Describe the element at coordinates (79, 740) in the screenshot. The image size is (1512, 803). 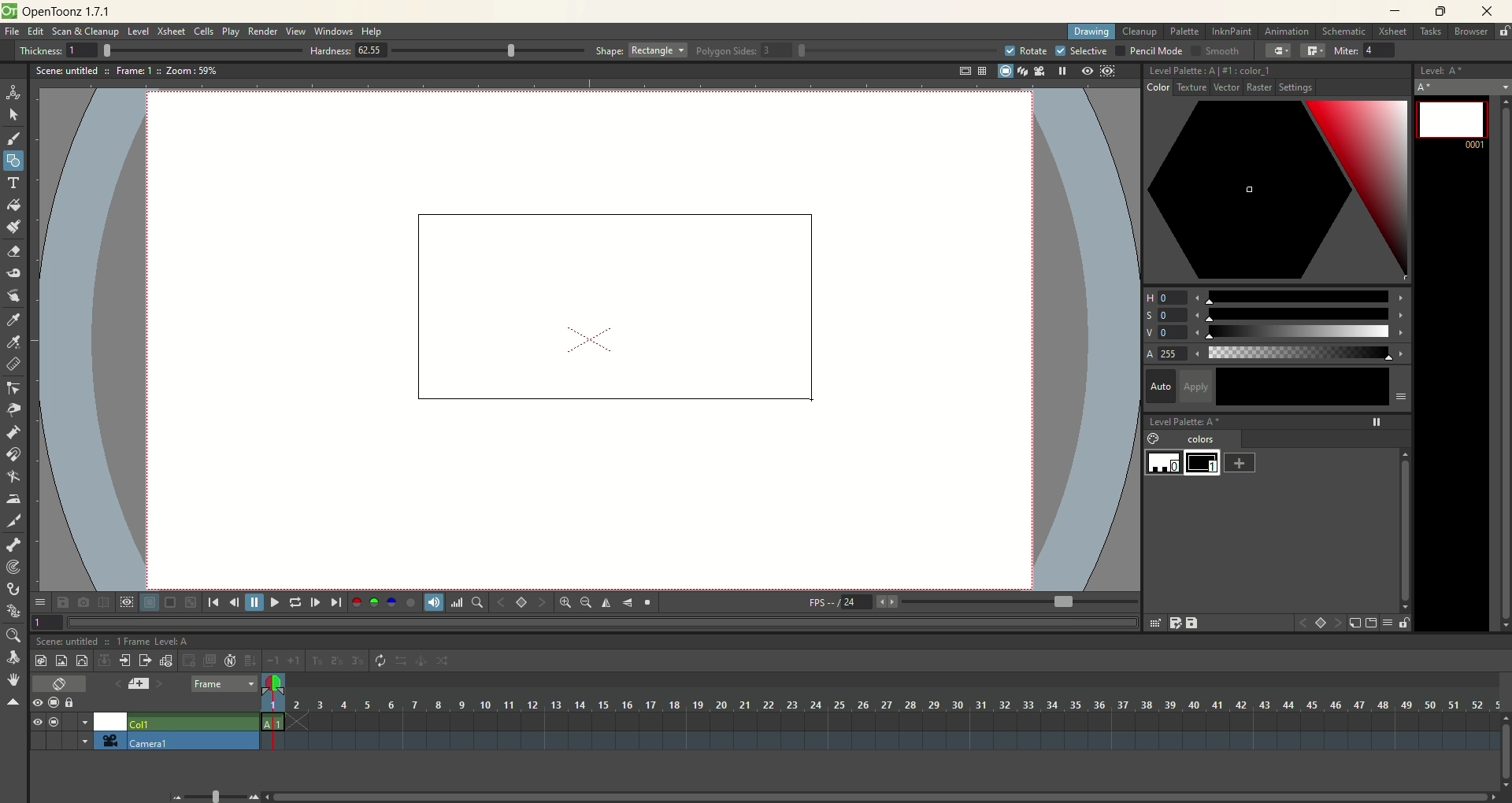
I see `camera1` at that location.